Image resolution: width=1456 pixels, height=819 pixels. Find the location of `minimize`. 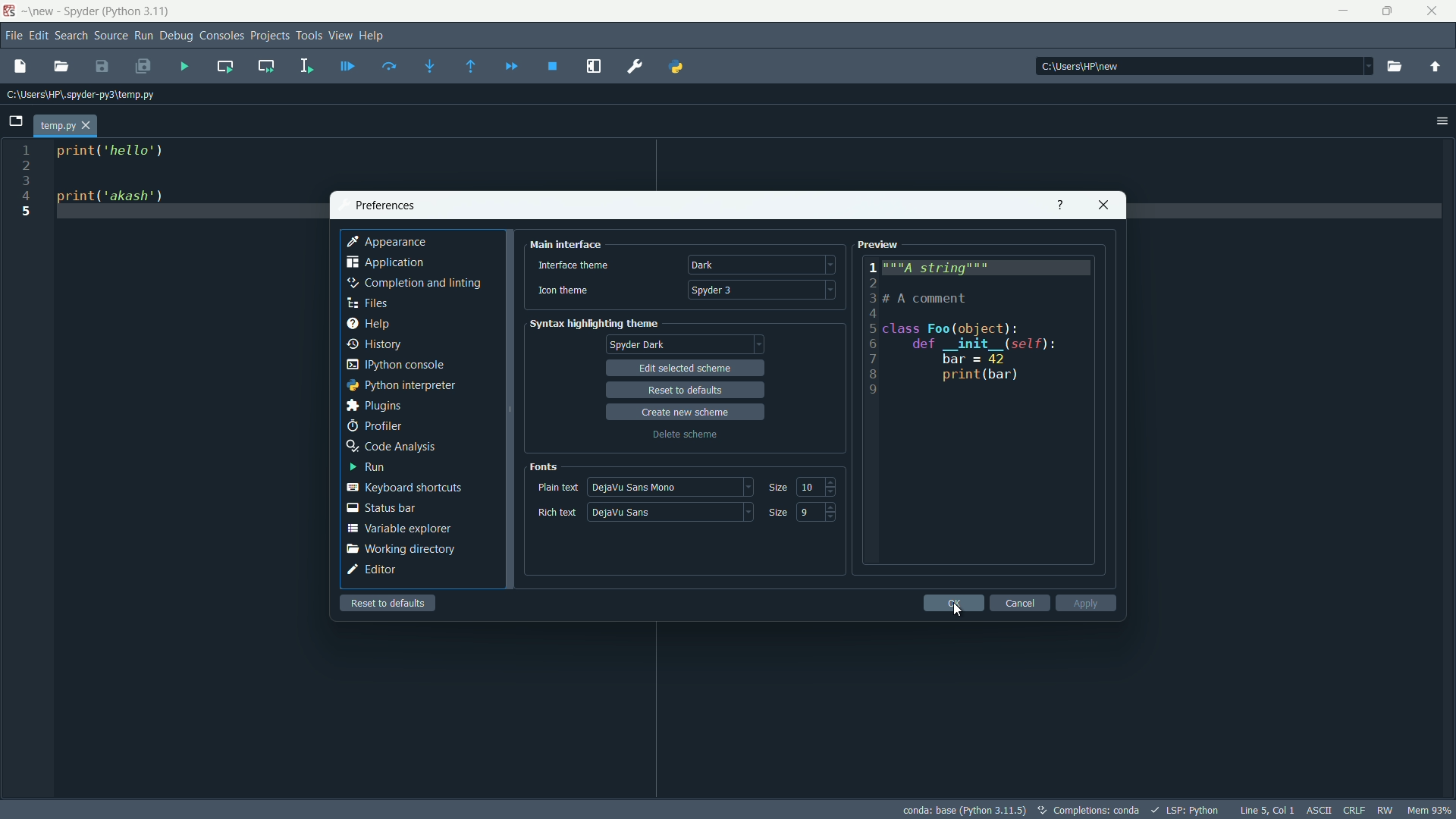

minimize is located at coordinates (1343, 11).